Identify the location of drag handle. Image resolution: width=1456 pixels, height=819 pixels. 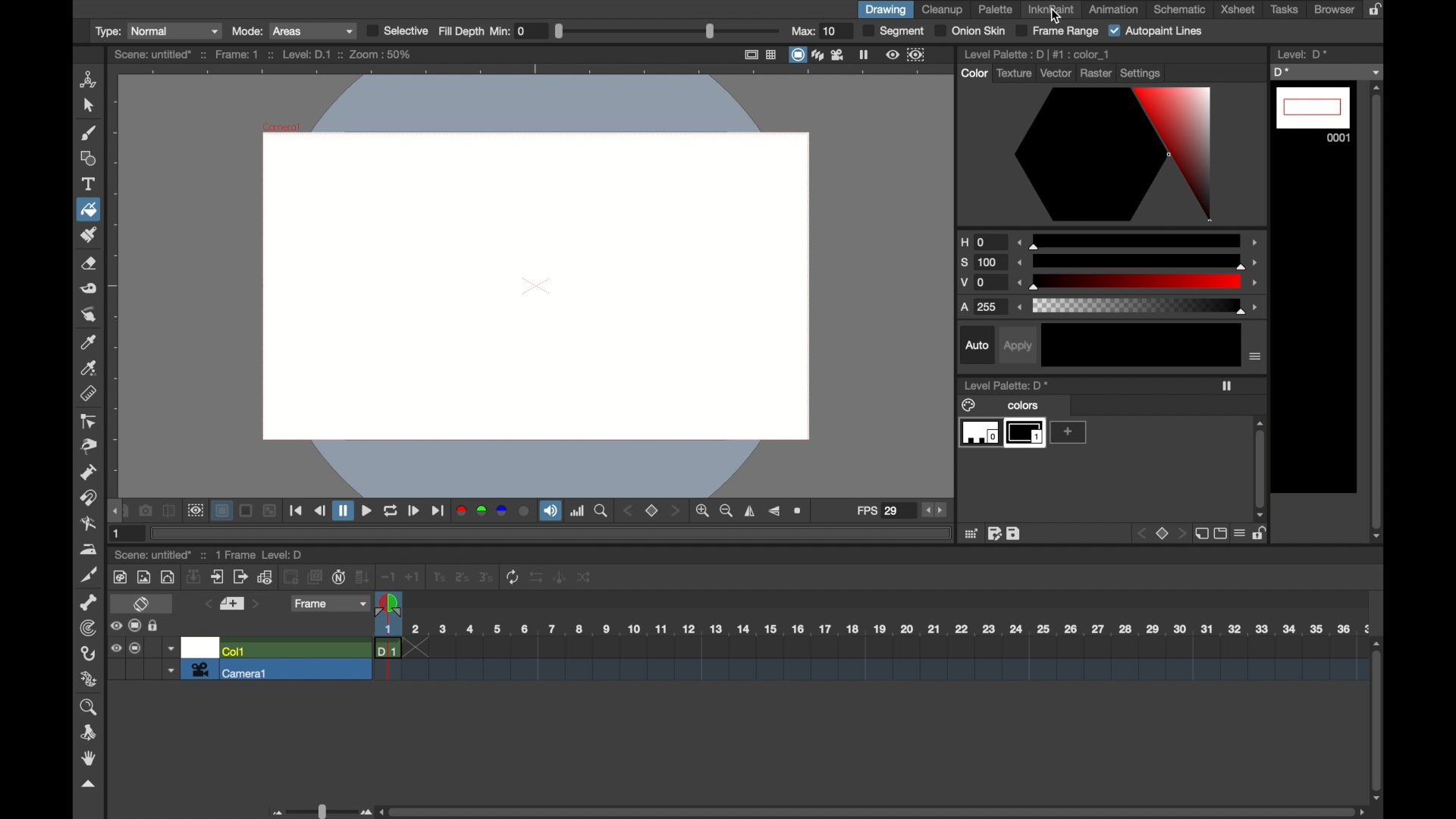
(89, 785).